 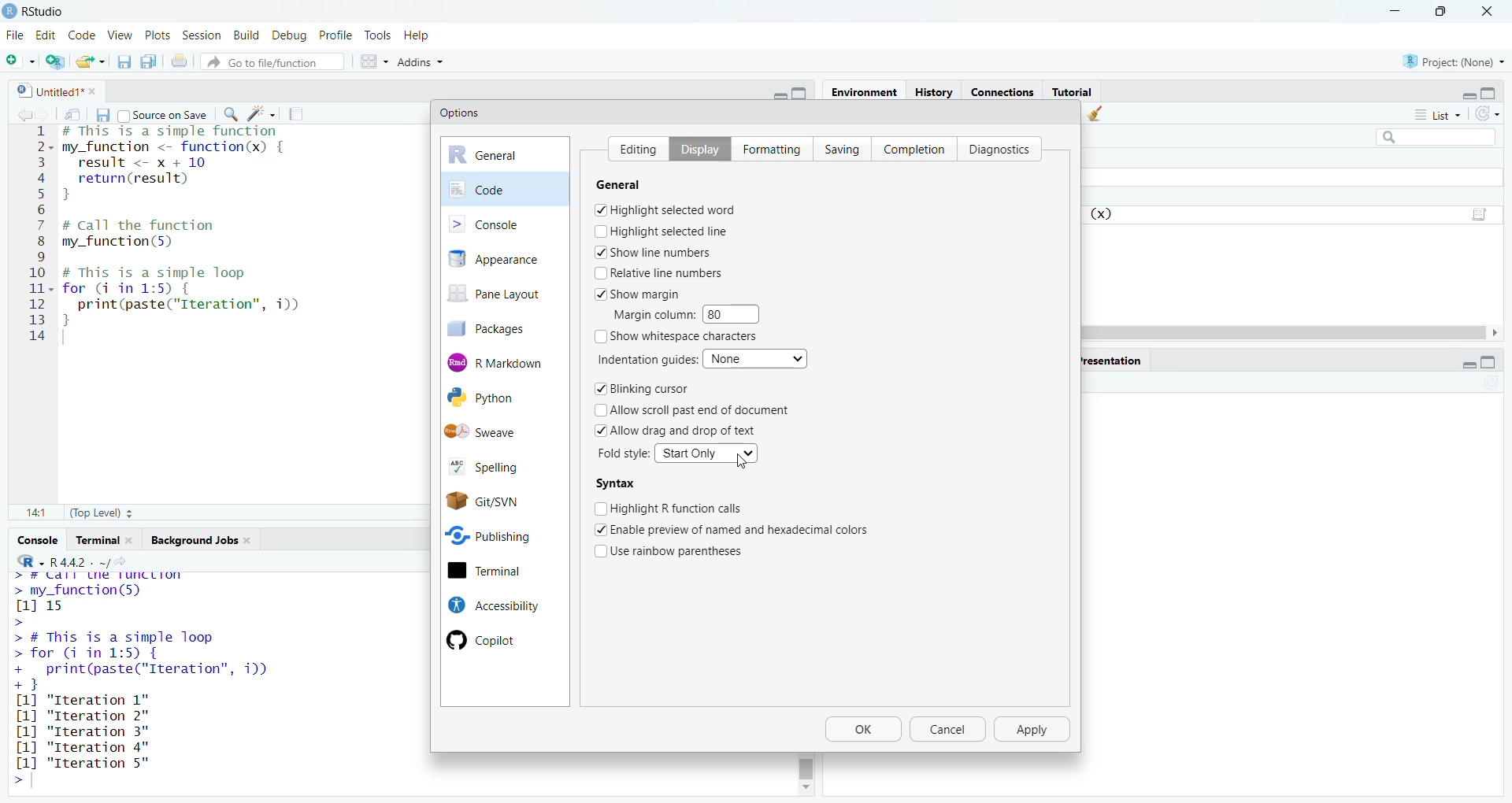 What do you see at coordinates (742, 462) in the screenshot?
I see `cursor` at bounding box center [742, 462].